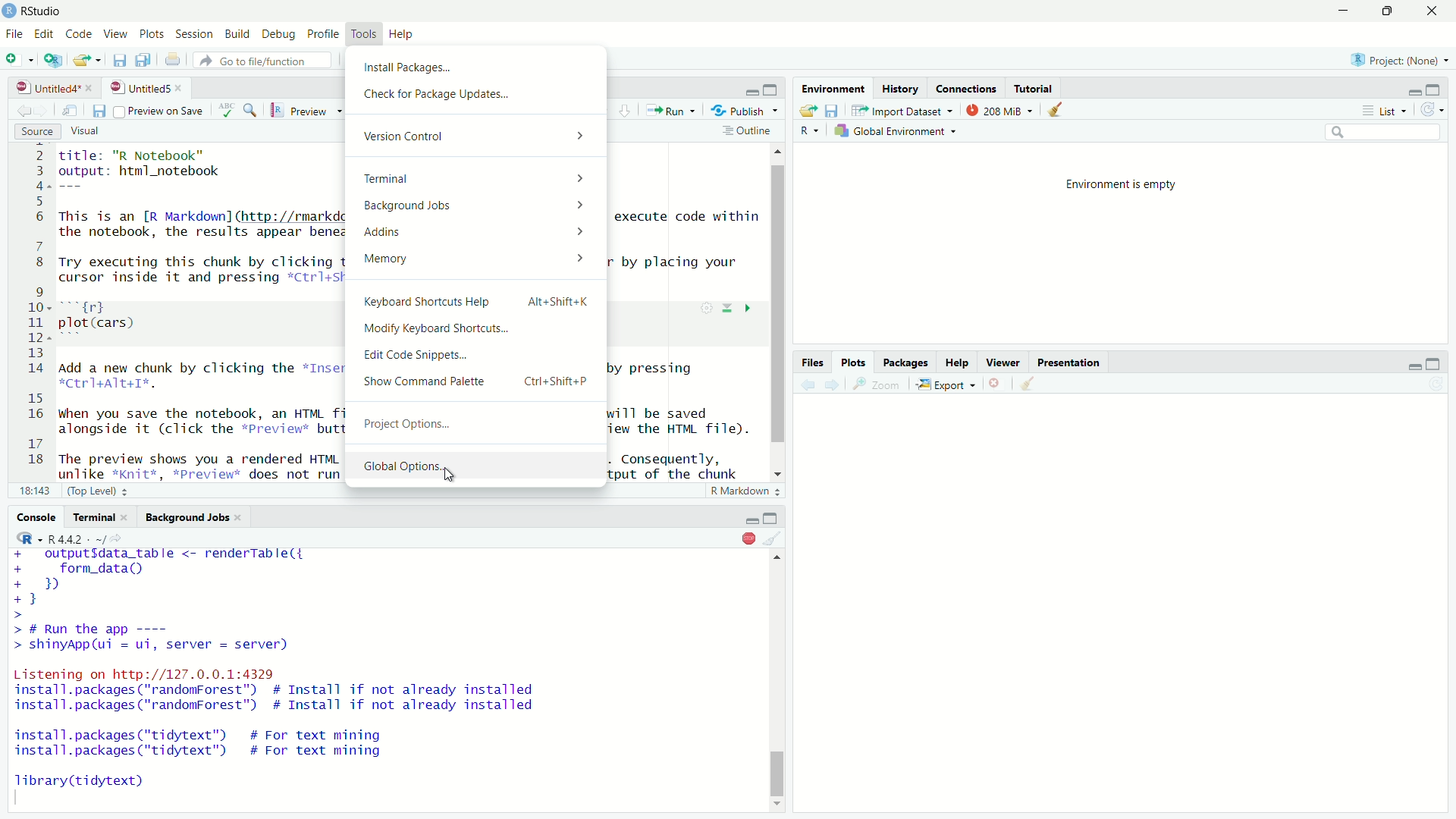 This screenshot has height=819, width=1456. What do you see at coordinates (1413, 365) in the screenshot?
I see `minimize` at bounding box center [1413, 365].